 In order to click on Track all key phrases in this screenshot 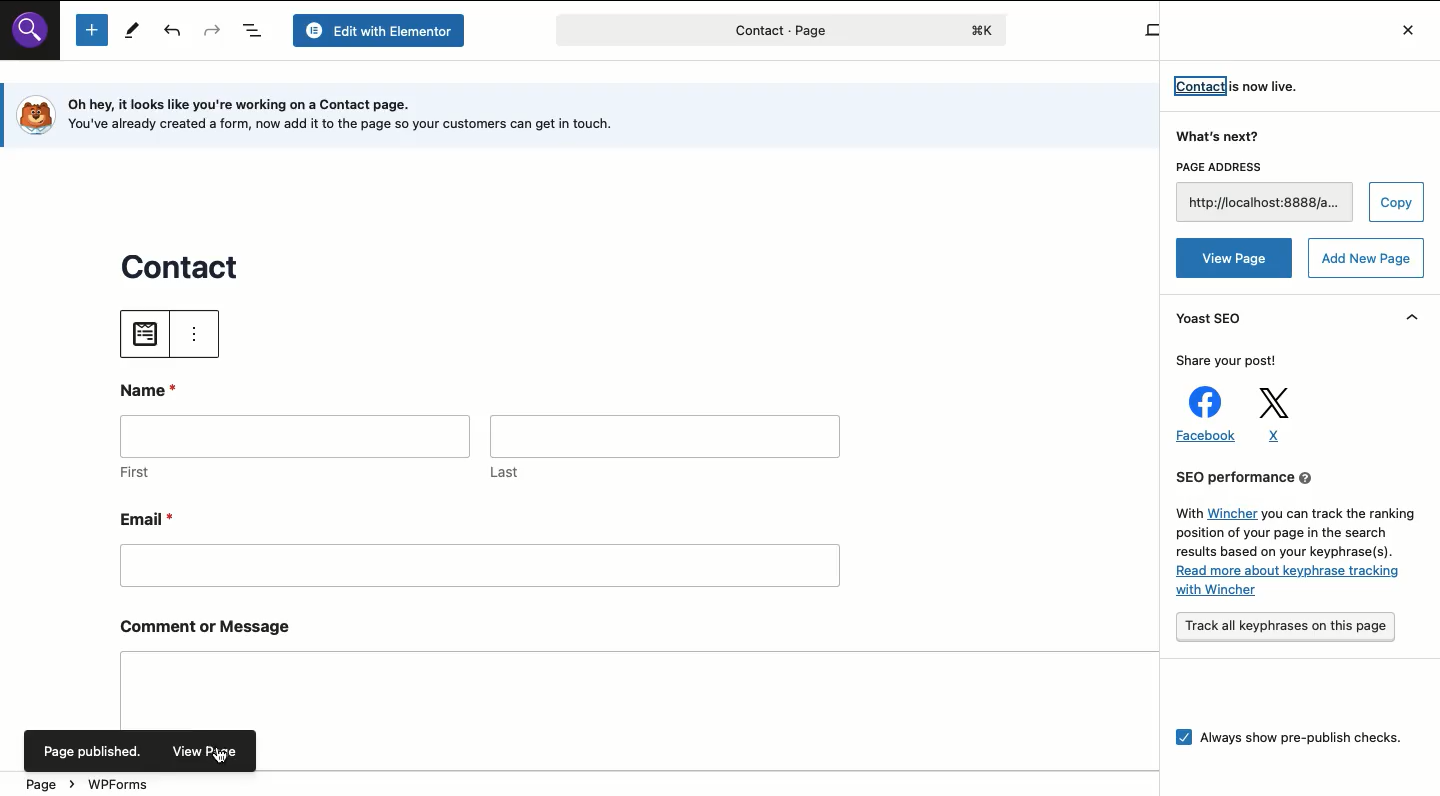, I will do `click(1286, 628)`.